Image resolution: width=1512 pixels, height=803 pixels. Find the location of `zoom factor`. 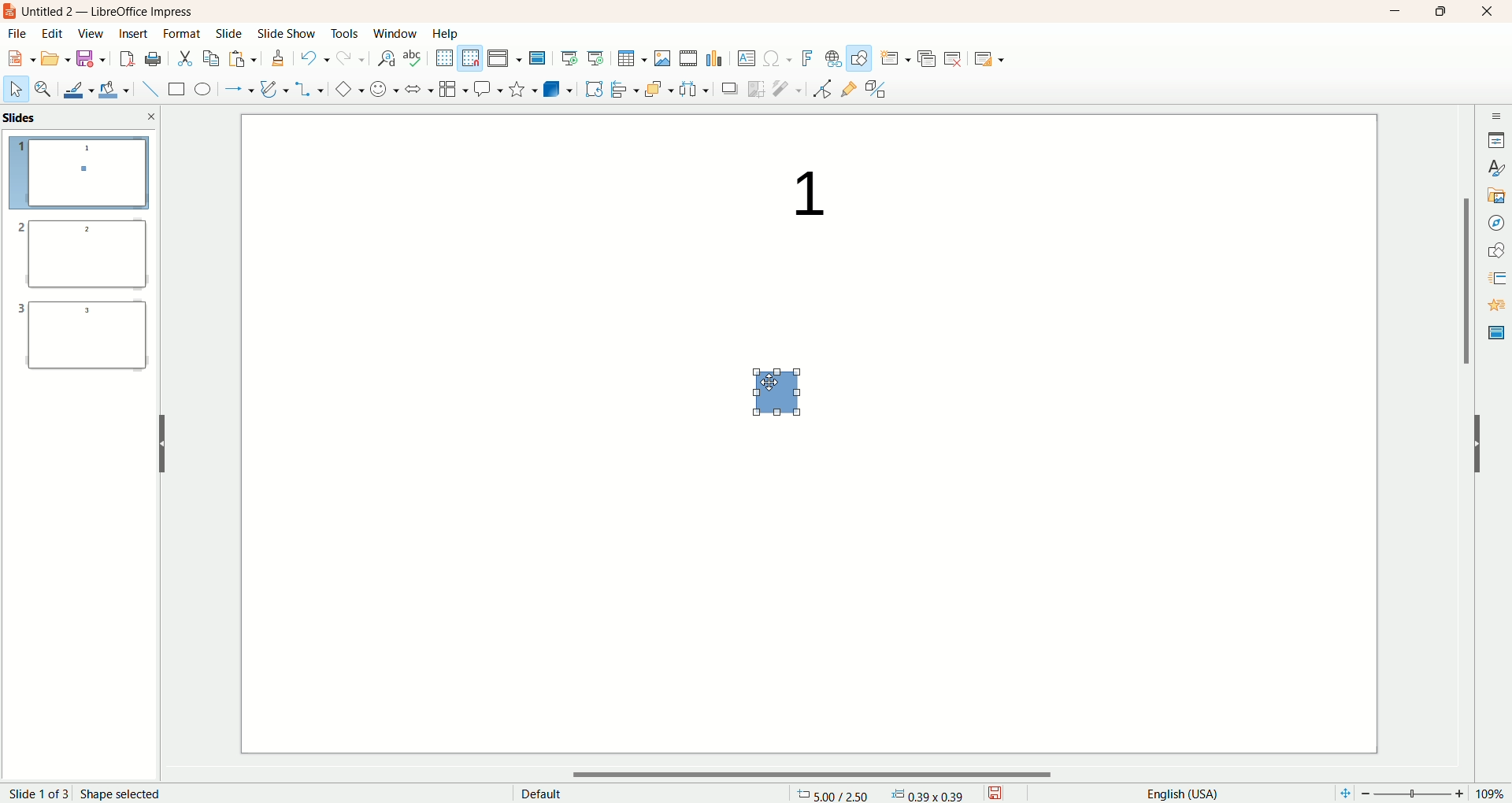

zoom factor is located at coordinates (1420, 794).